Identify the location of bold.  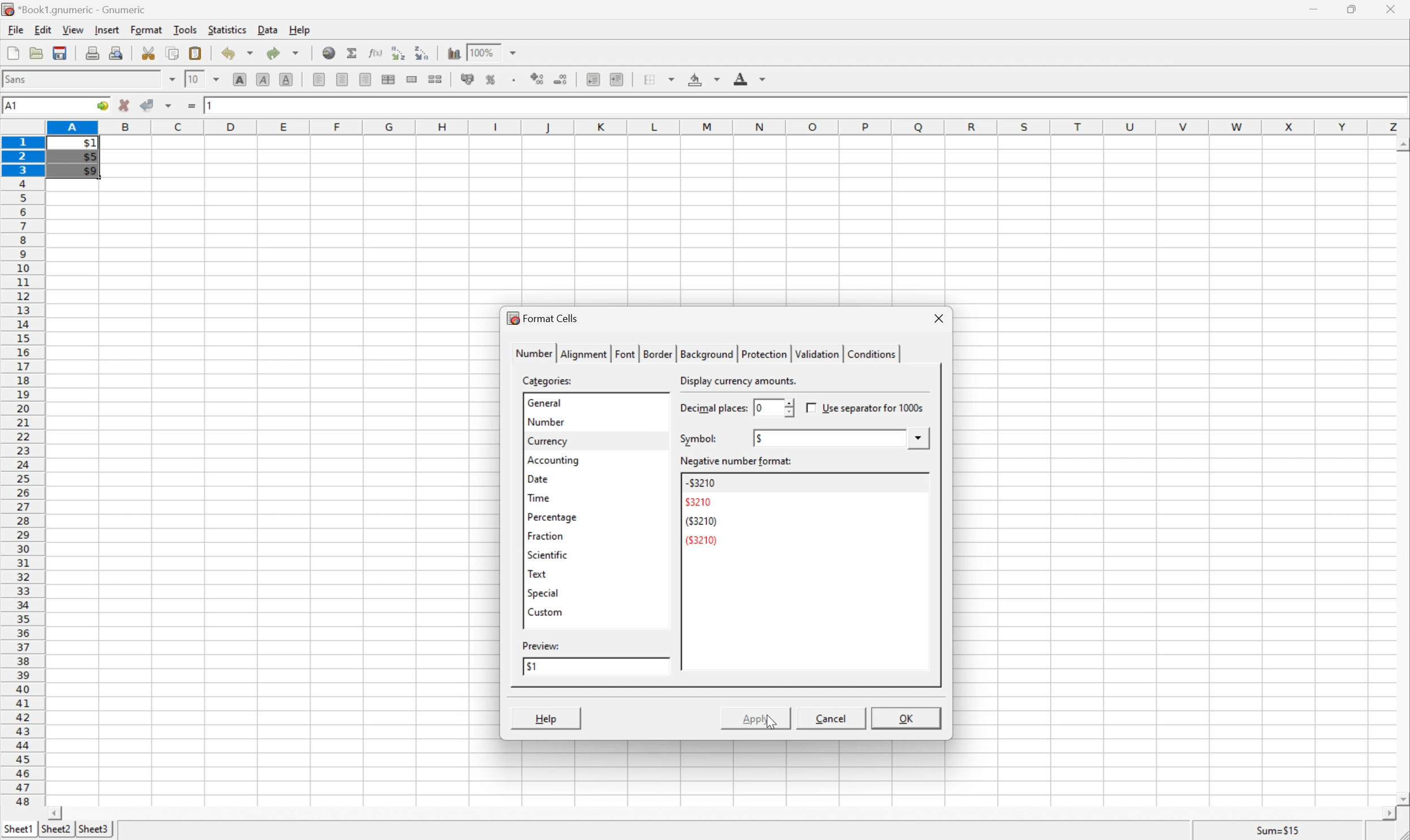
(242, 80).